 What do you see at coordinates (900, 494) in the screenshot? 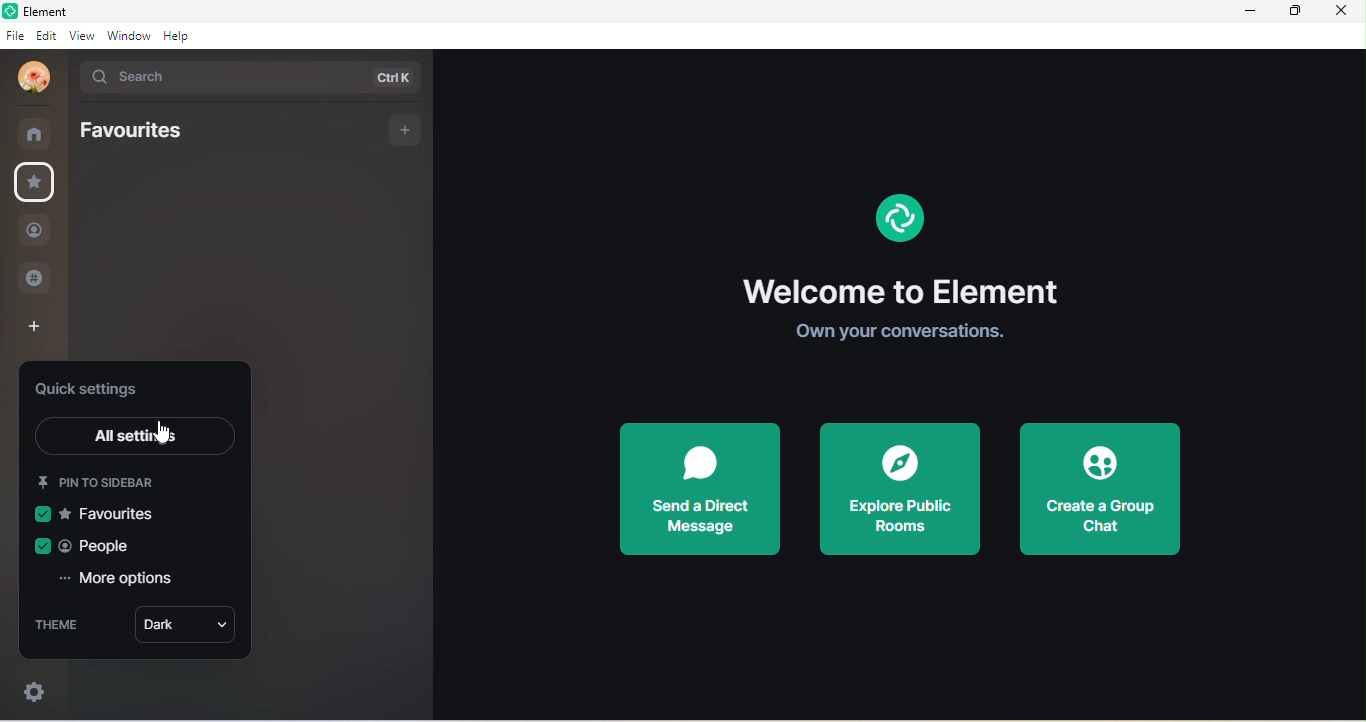
I see `explore public rooms` at bounding box center [900, 494].